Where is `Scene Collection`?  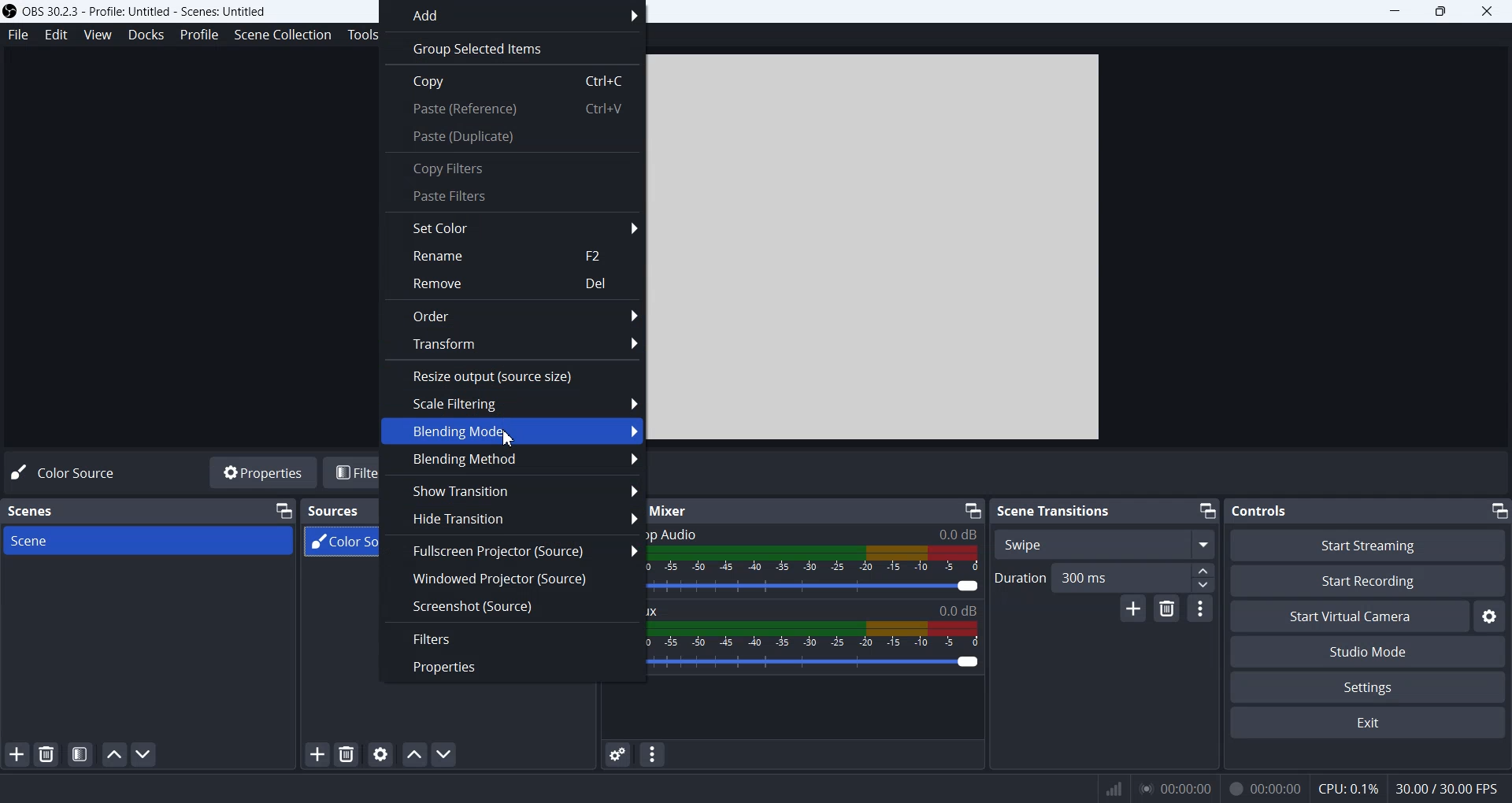
Scene Collection is located at coordinates (283, 35).